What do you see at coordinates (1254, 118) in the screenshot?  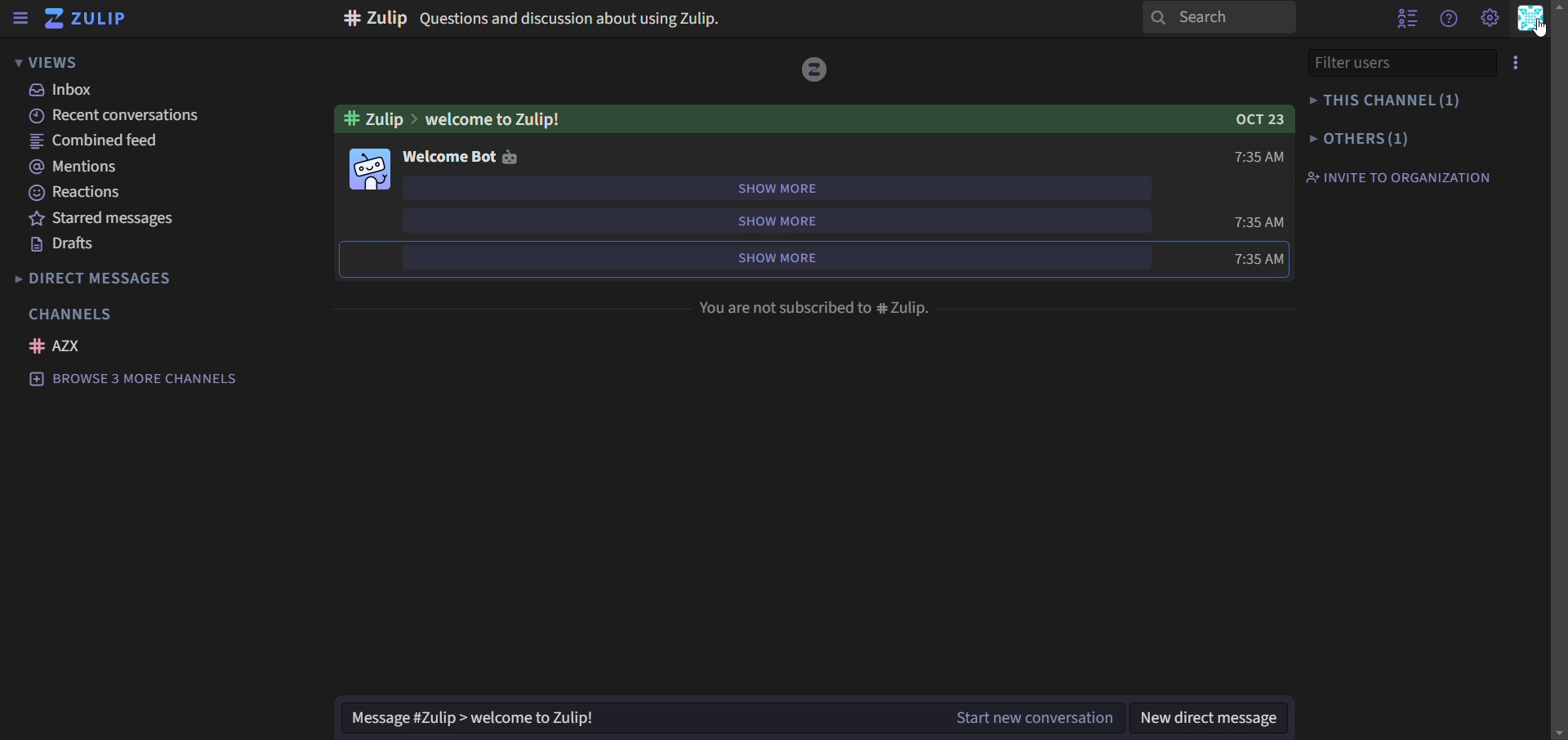 I see `OCT 23` at bounding box center [1254, 118].